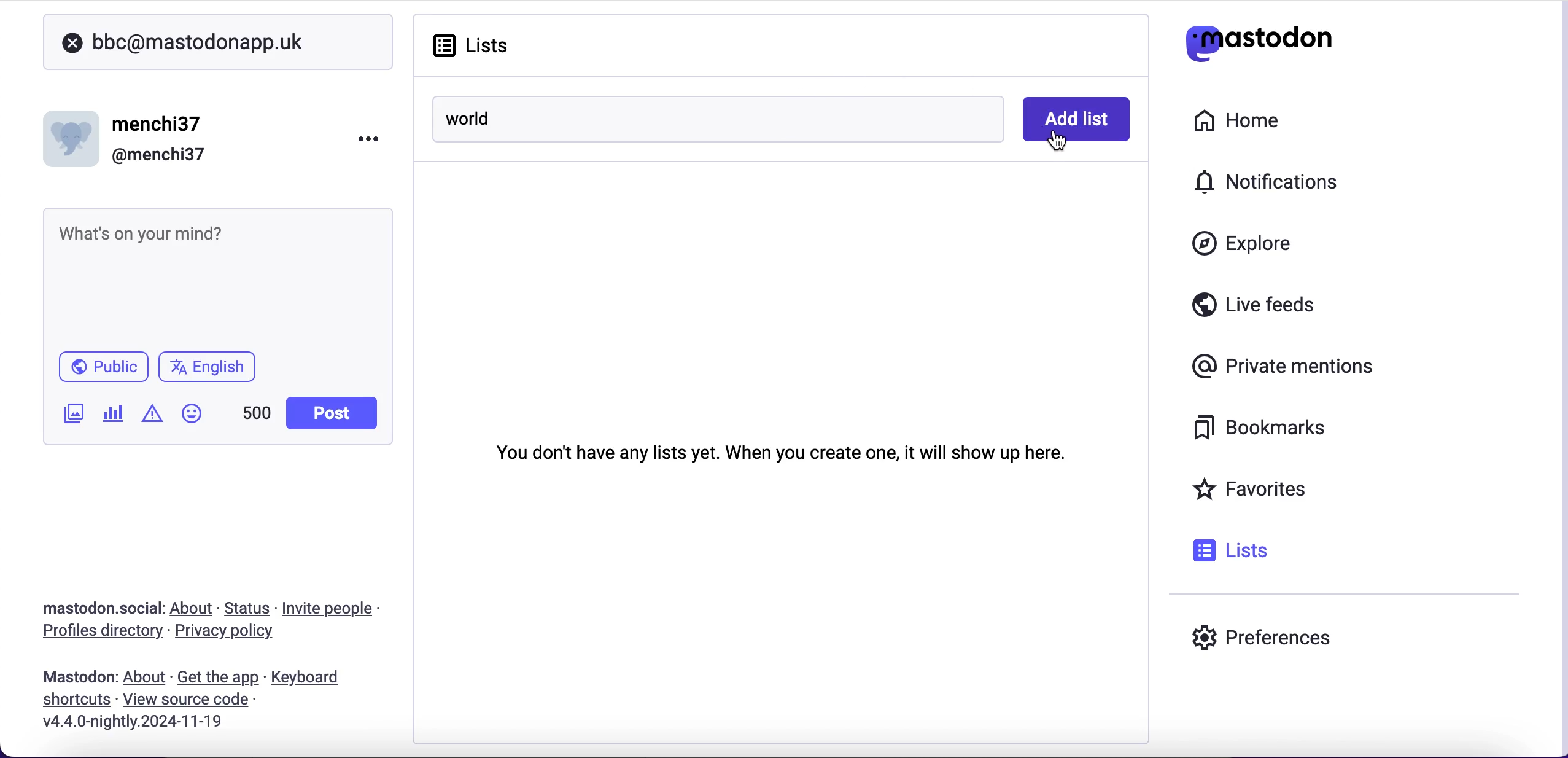  I want to click on notifications, so click(1272, 181).